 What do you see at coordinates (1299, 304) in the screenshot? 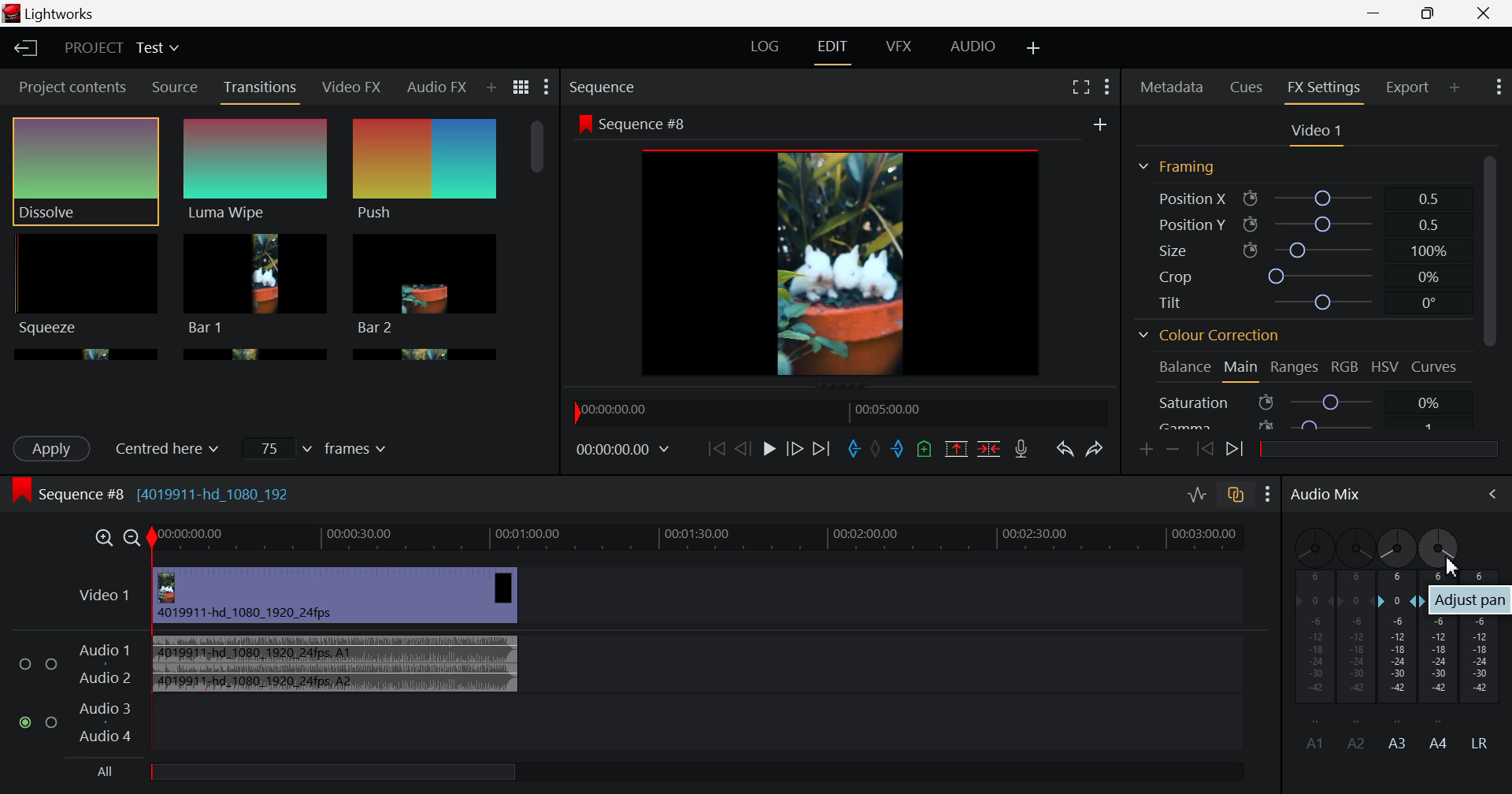
I see `Tilt` at bounding box center [1299, 304].